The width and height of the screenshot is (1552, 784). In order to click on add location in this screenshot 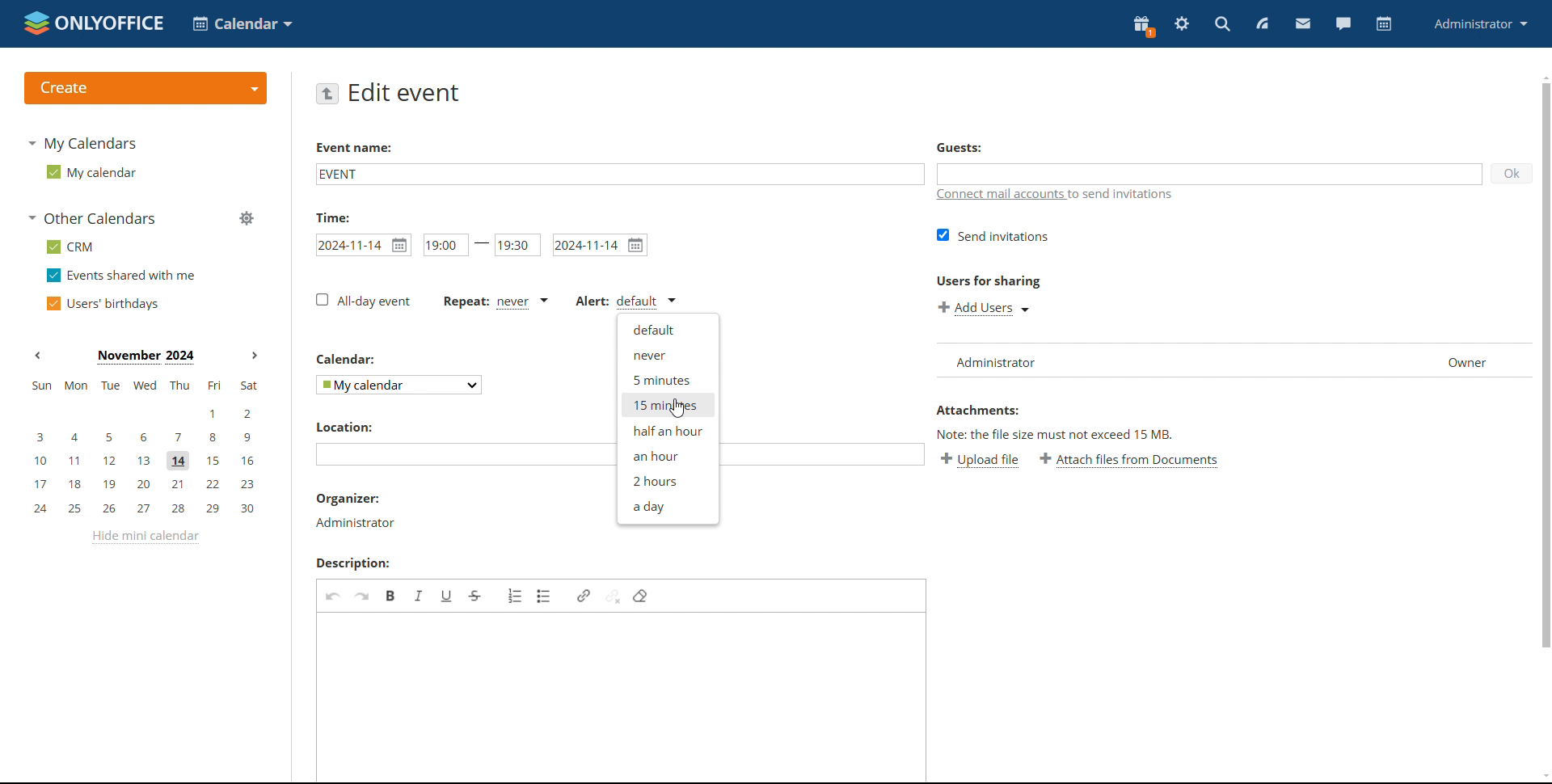, I will do `click(461, 455)`.